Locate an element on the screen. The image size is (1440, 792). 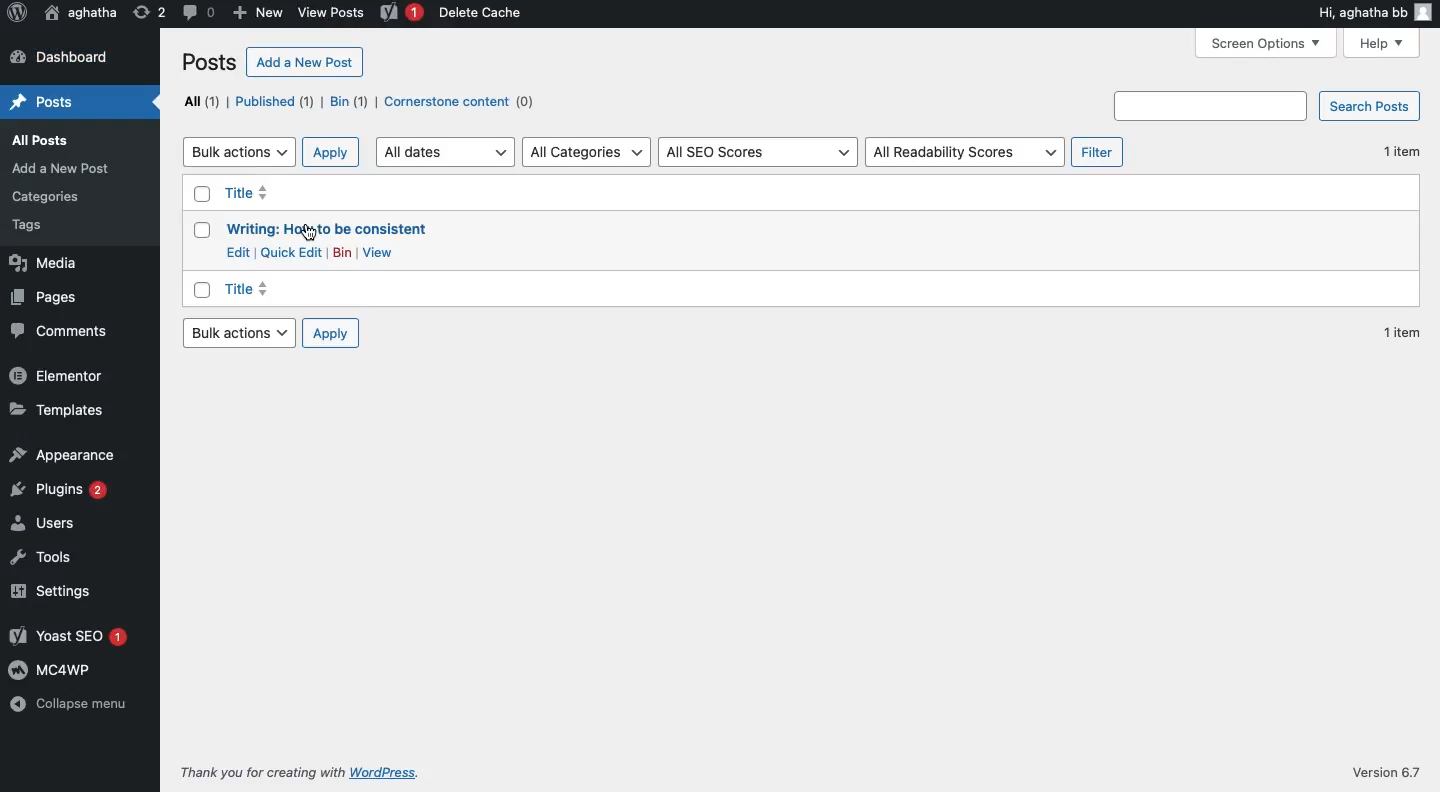
MC4WP is located at coordinates (55, 670).